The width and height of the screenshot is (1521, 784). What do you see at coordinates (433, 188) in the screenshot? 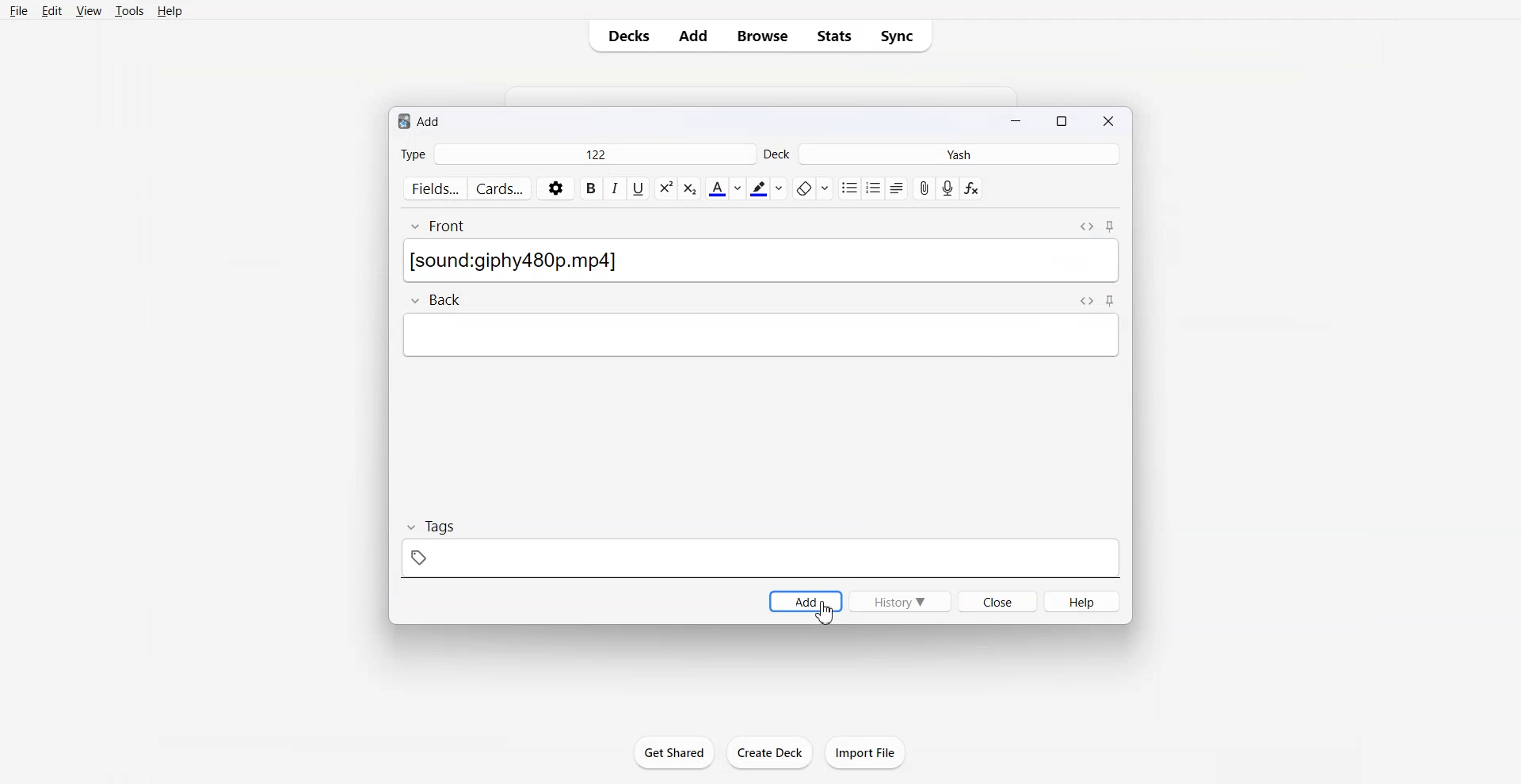
I see `Fields` at bounding box center [433, 188].